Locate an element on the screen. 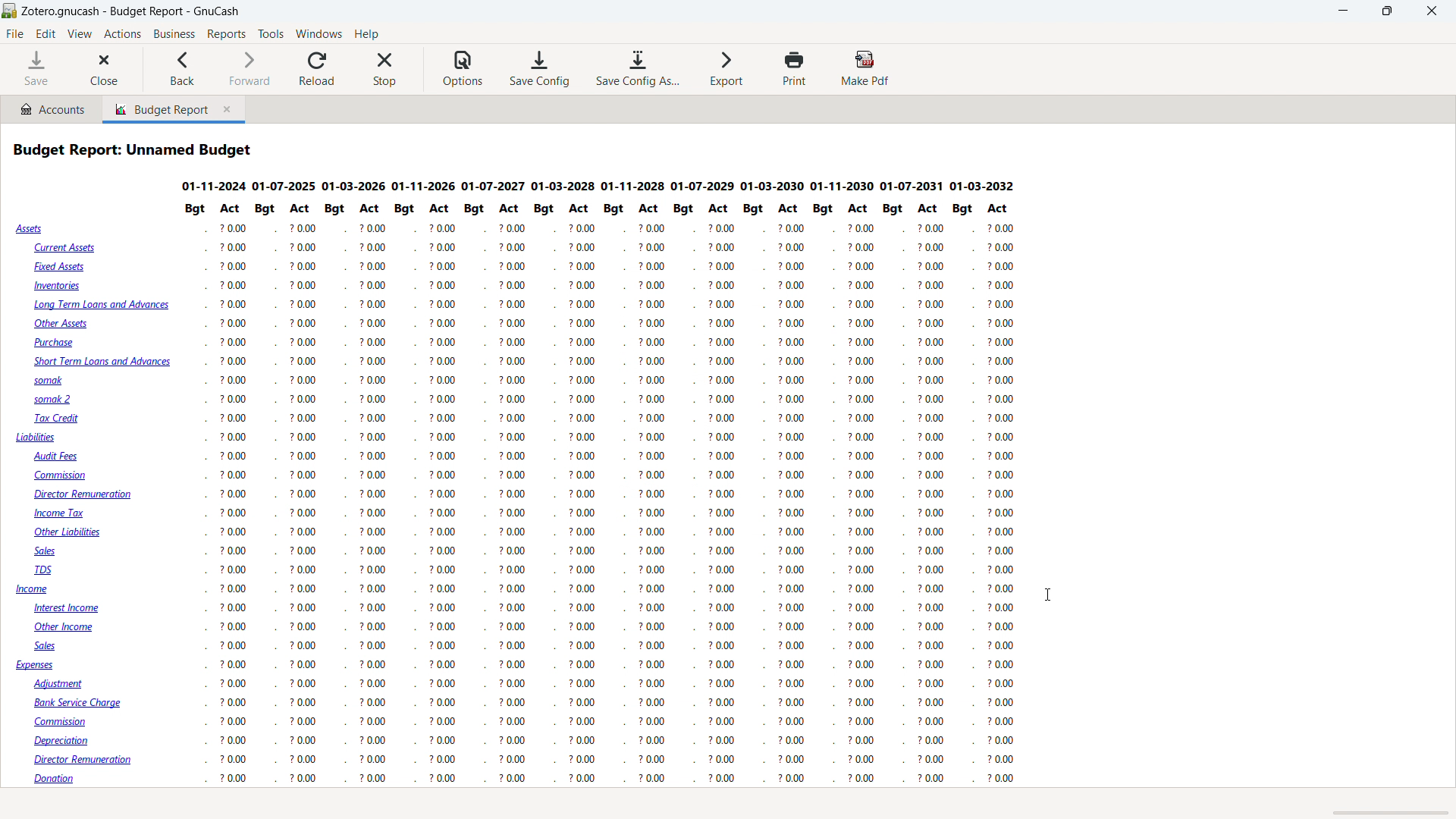  Sales is located at coordinates (53, 552).